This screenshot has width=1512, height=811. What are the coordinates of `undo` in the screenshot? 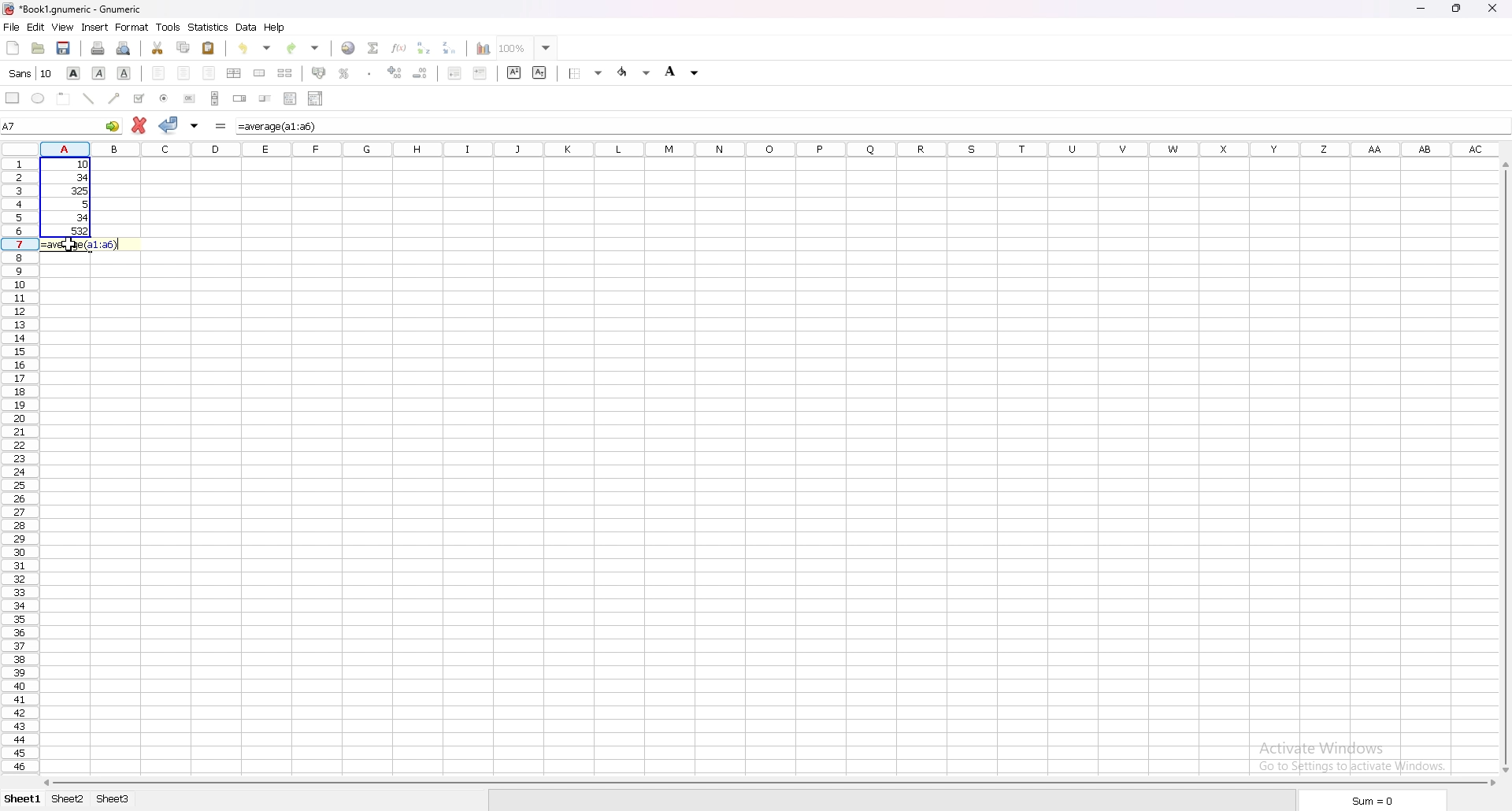 It's located at (256, 48).